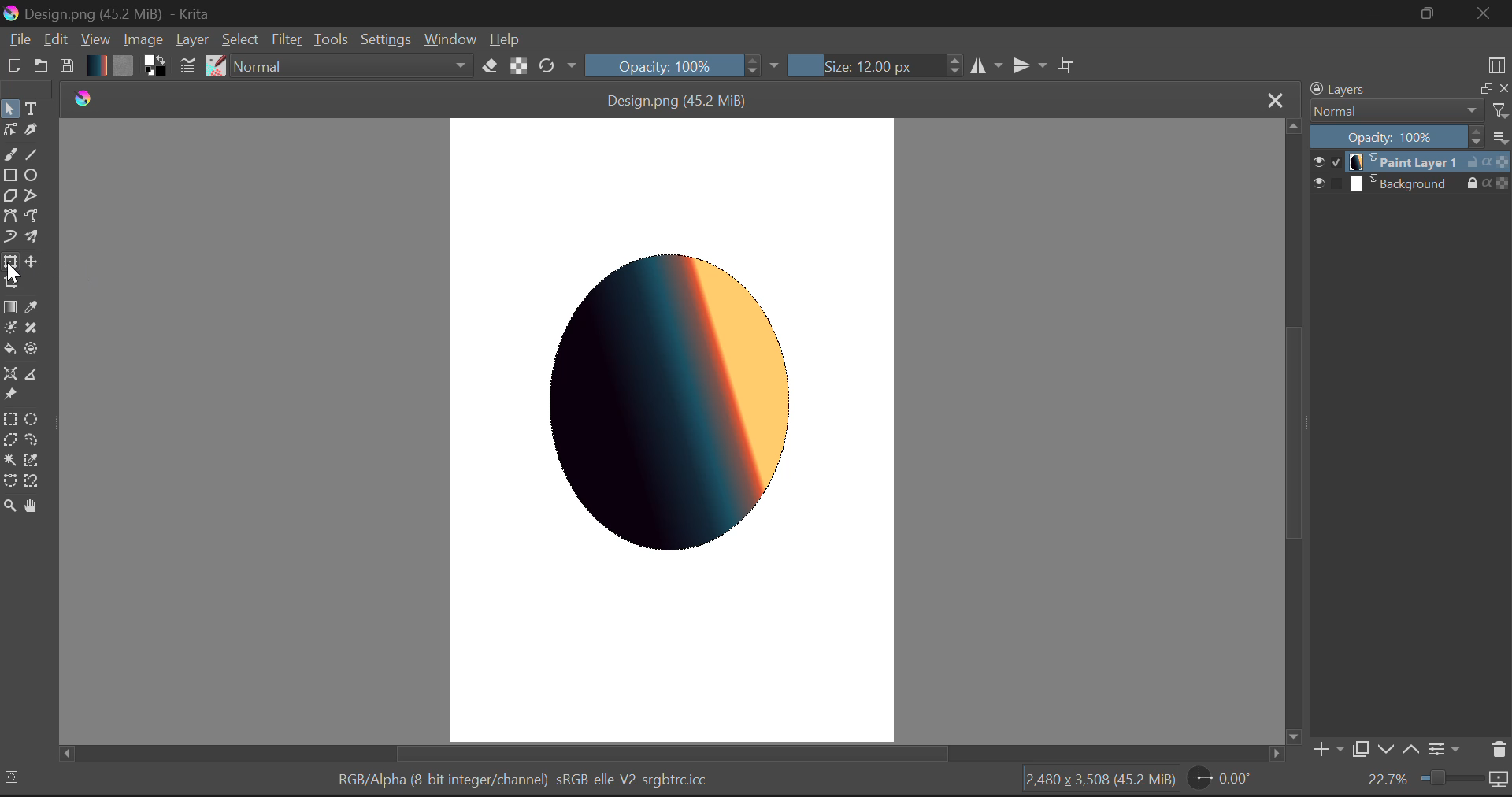 The height and width of the screenshot is (797, 1512). What do you see at coordinates (189, 67) in the screenshot?
I see `Brush Settings` at bounding box center [189, 67].